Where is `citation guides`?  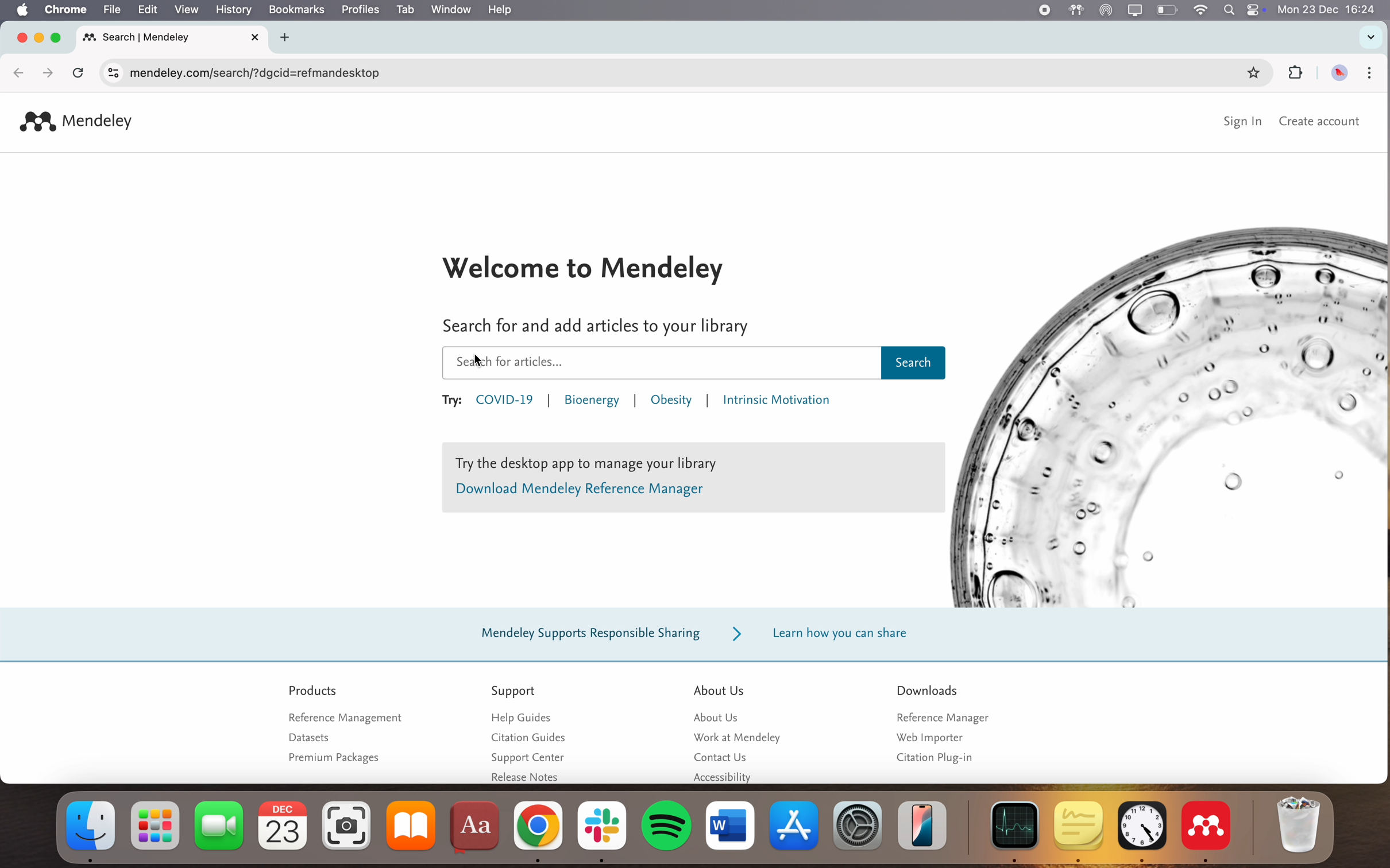 citation guides is located at coordinates (524, 739).